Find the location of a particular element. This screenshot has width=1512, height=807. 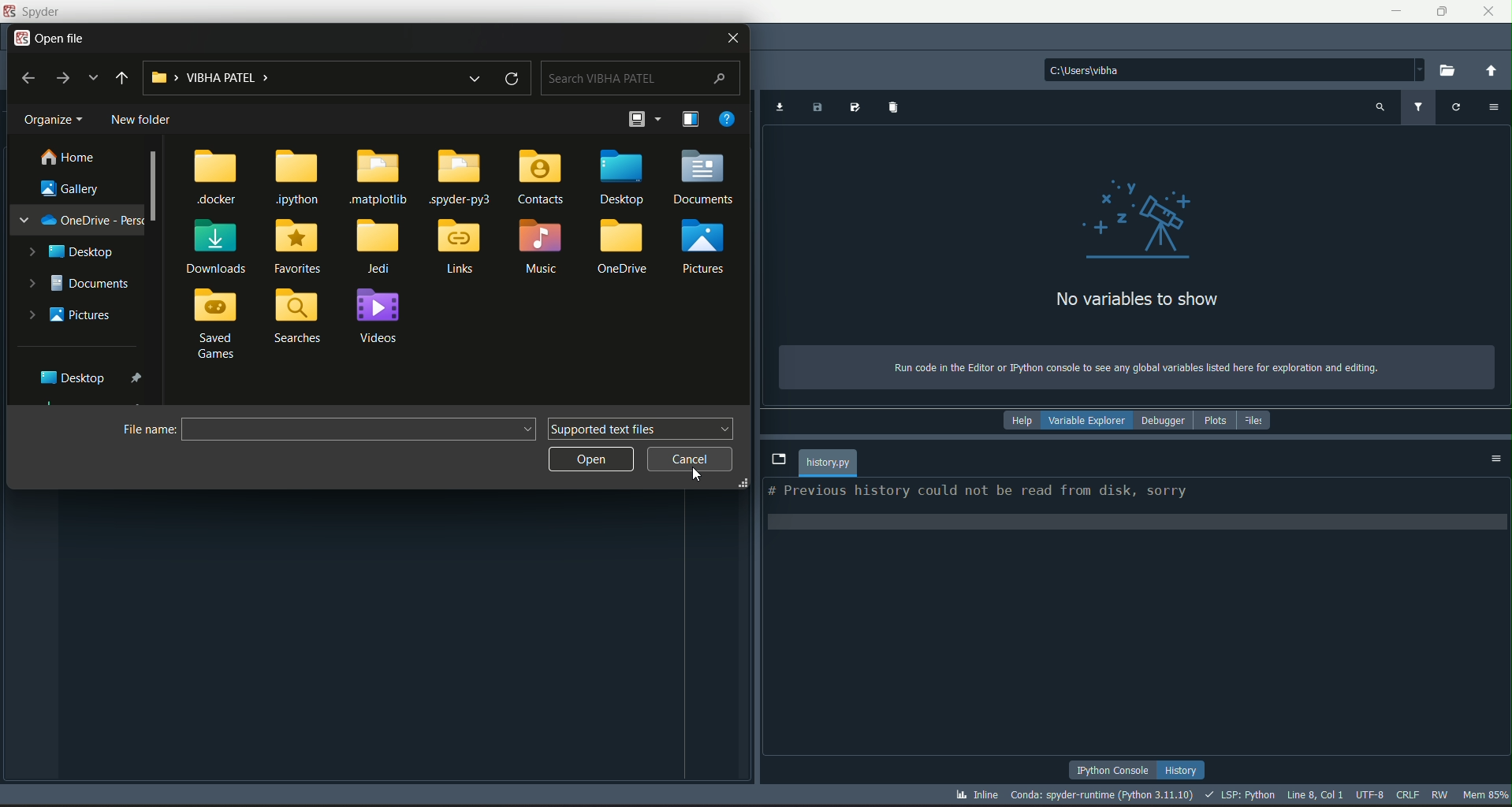

options is located at coordinates (1497, 459).